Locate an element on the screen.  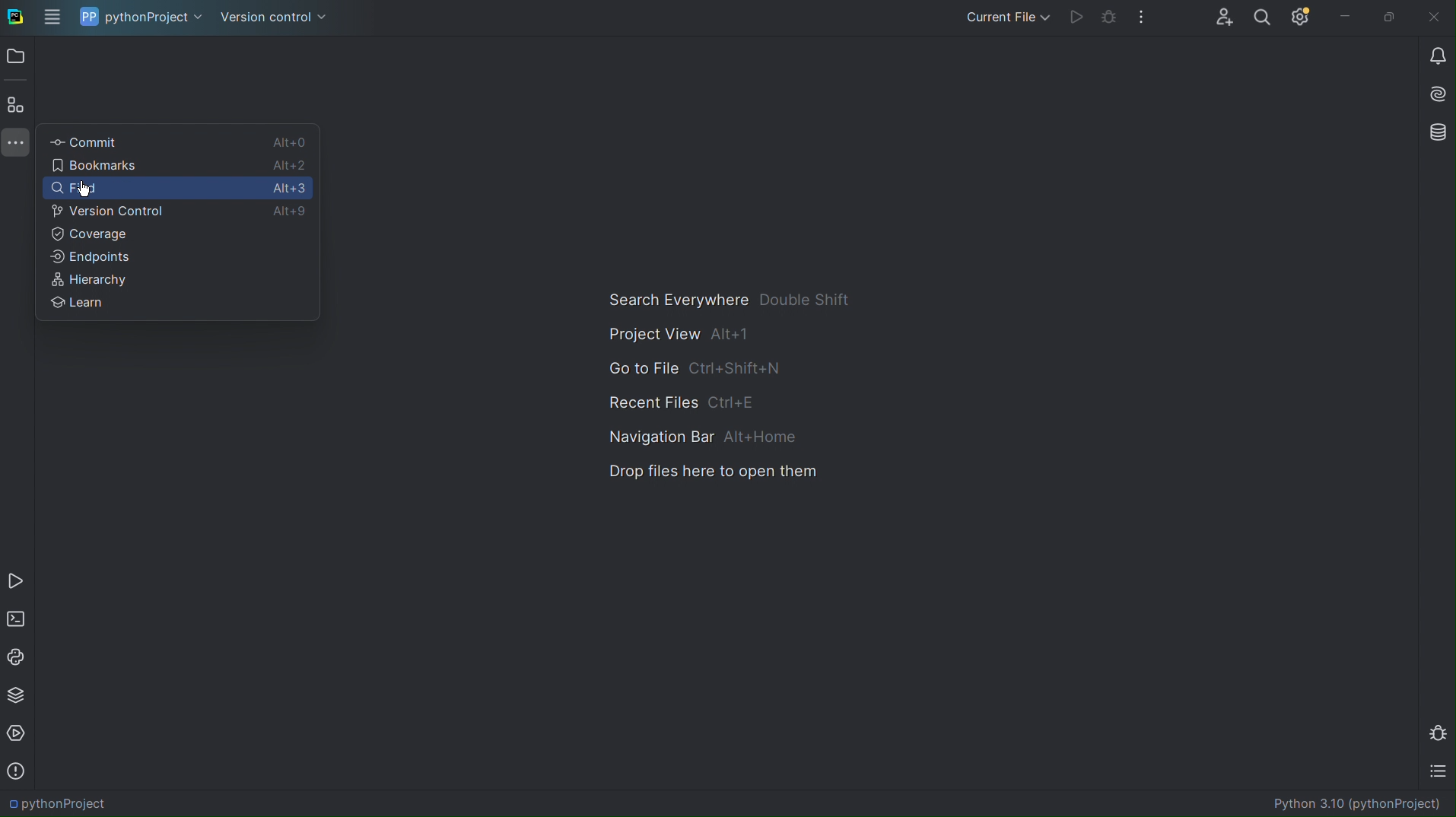
Version control is located at coordinates (276, 16).